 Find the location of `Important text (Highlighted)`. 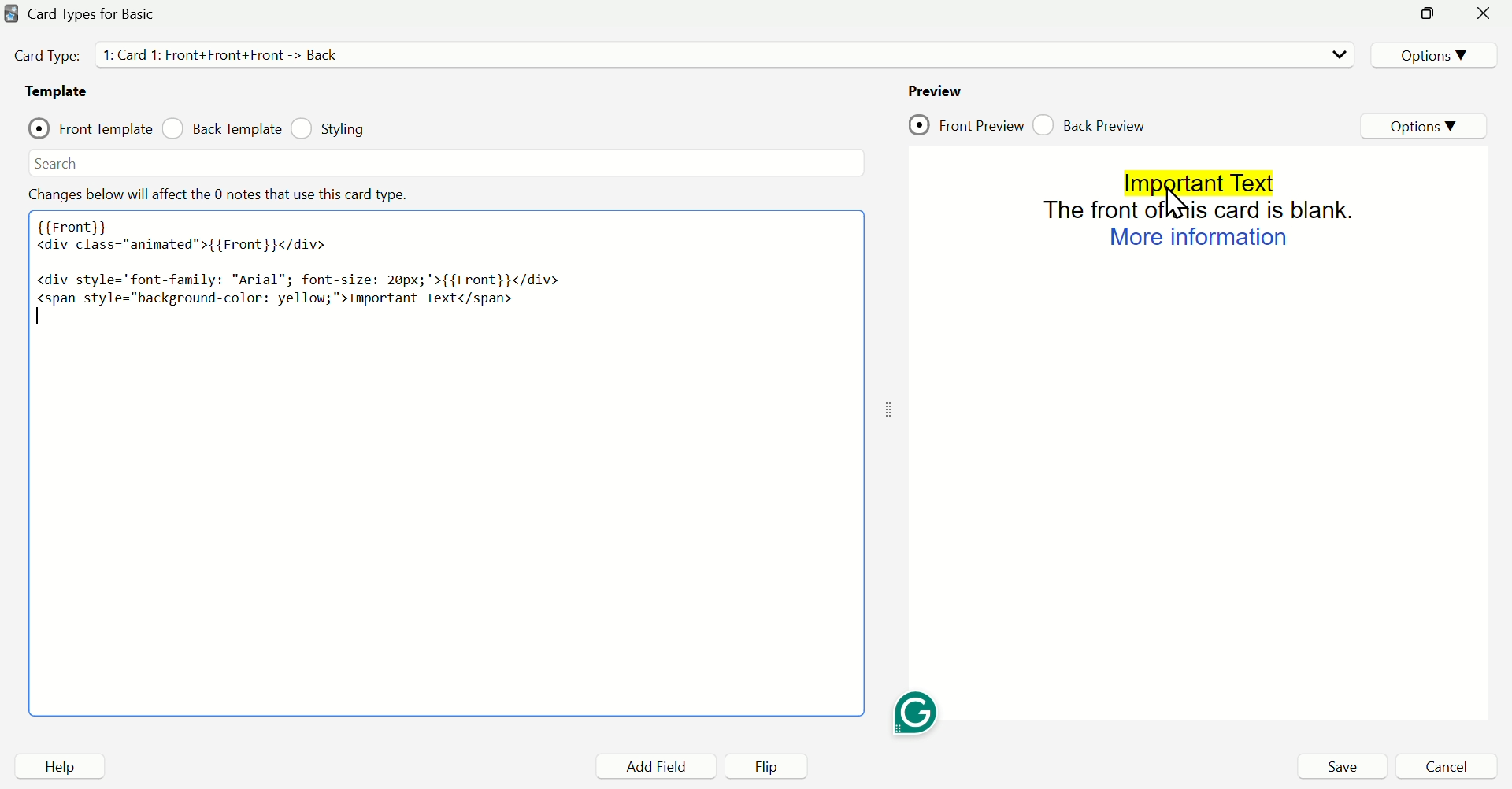

Important text (Highlighted) is located at coordinates (1198, 179).